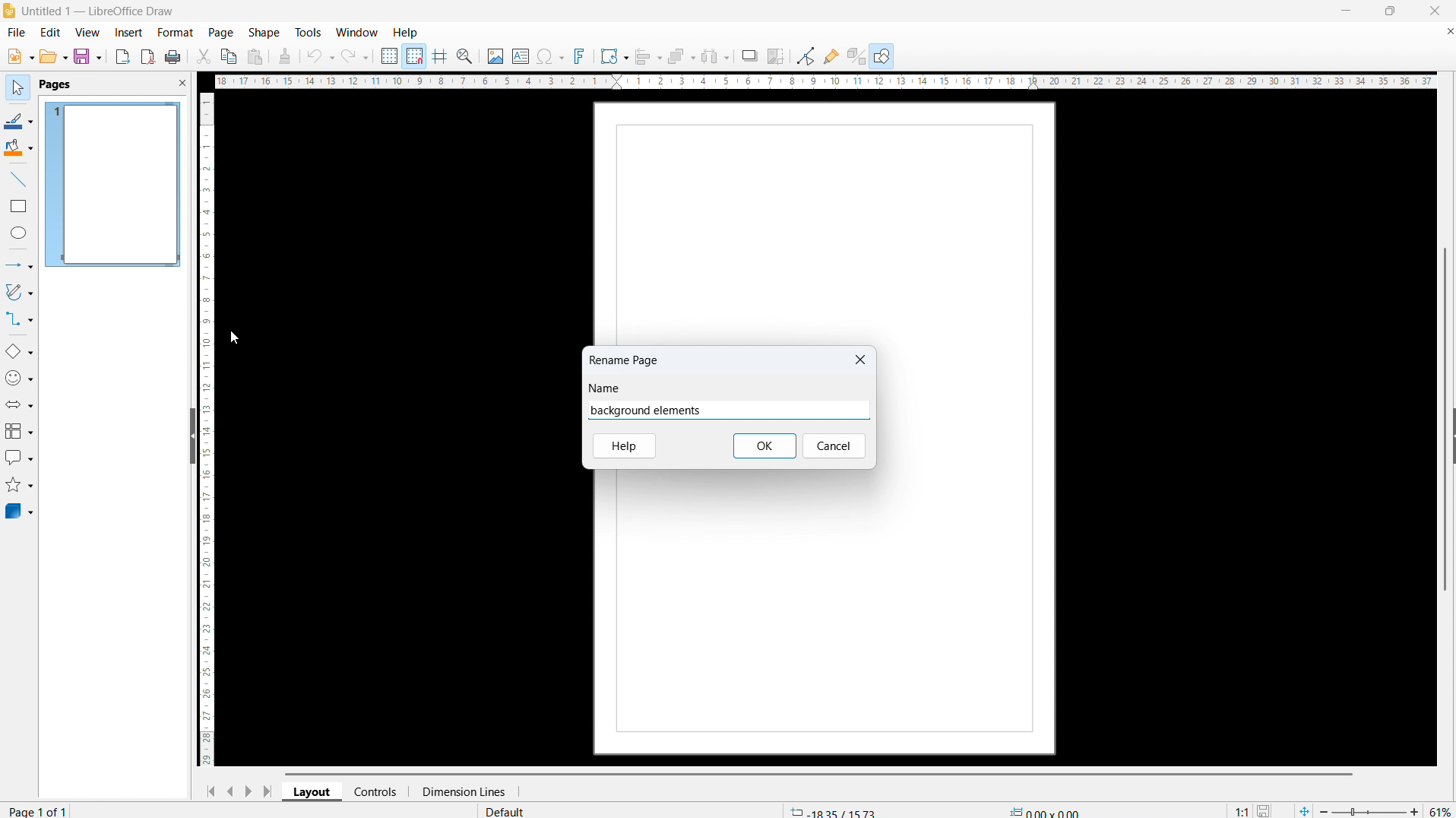 Image resolution: width=1456 pixels, height=818 pixels. Describe the element at coordinates (193, 437) in the screenshot. I see `hide pane` at that location.